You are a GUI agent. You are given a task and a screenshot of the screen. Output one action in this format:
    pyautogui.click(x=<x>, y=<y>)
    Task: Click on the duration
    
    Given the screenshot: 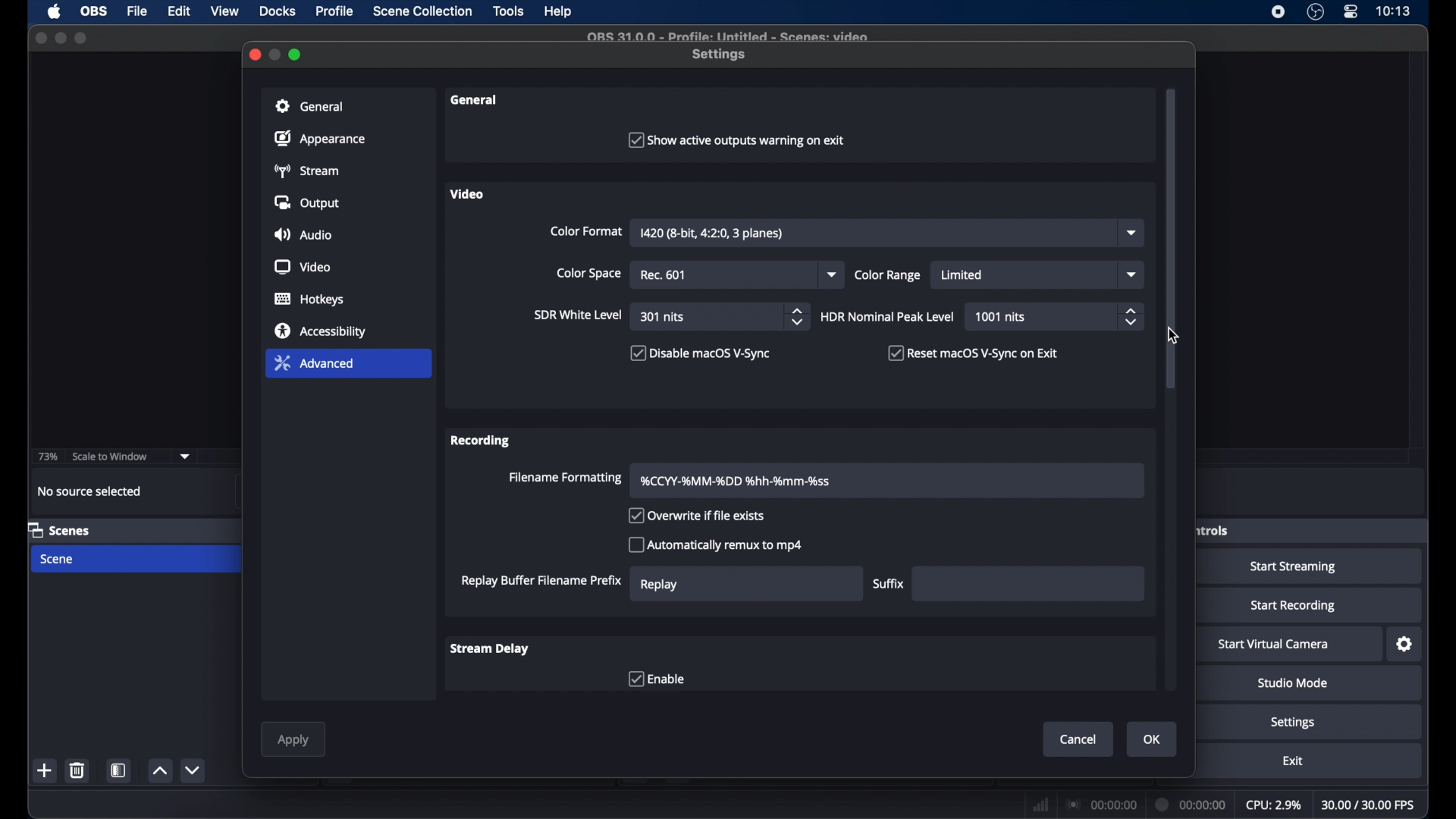 What is the action you would take?
    pyautogui.click(x=1191, y=803)
    